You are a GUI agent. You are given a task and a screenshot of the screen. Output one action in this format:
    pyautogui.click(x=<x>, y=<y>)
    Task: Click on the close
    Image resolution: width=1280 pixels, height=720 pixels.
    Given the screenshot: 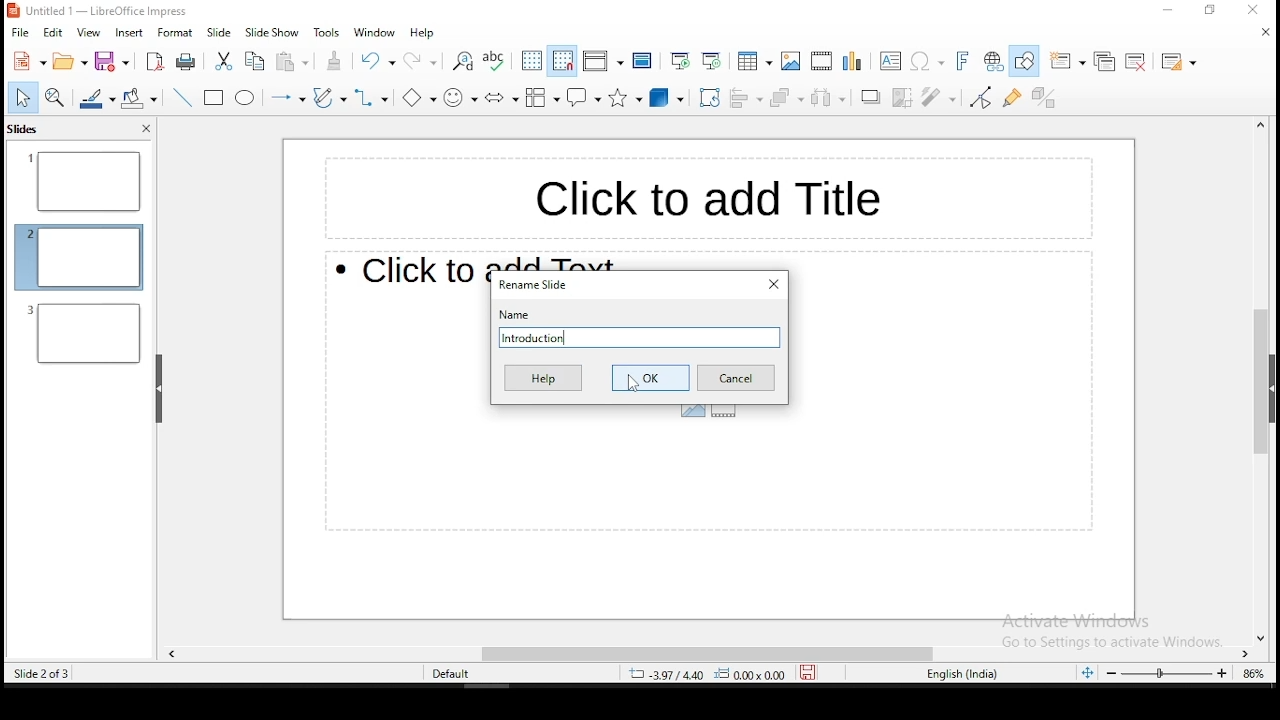 What is the action you would take?
    pyautogui.click(x=1263, y=36)
    